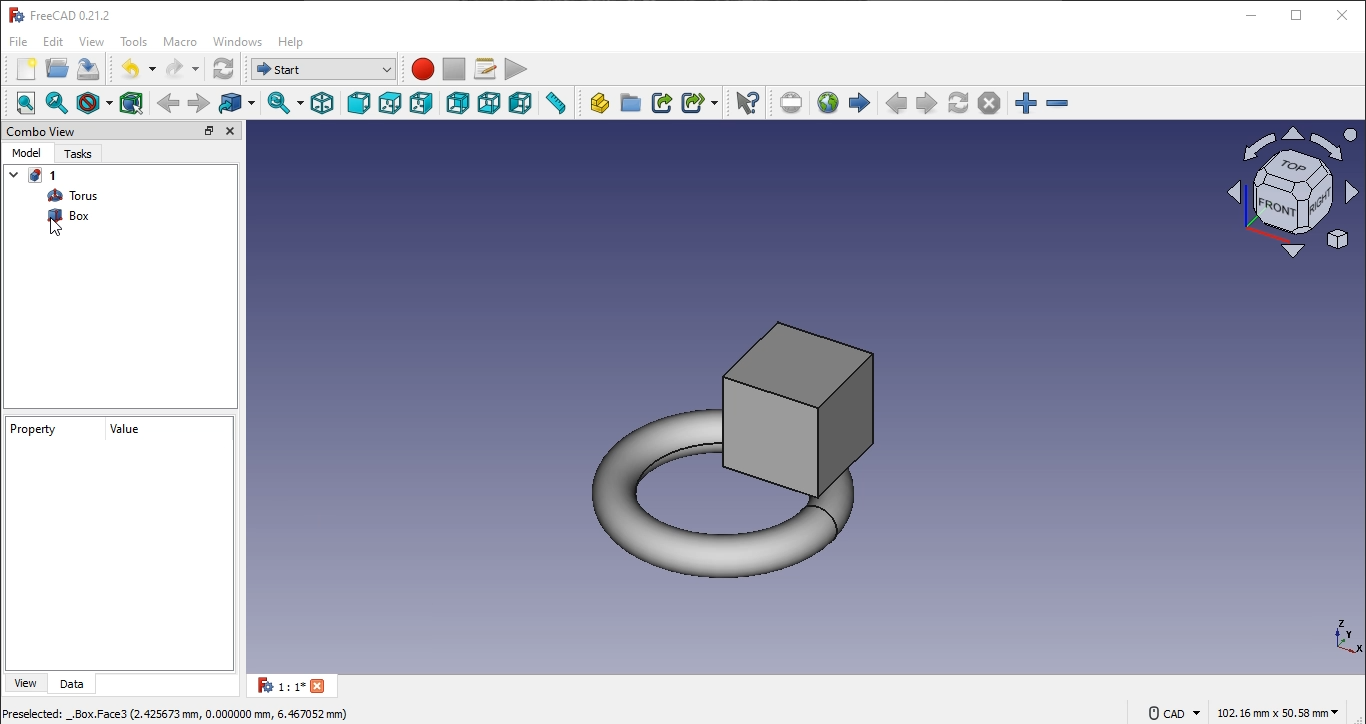 The height and width of the screenshot is (724, 1366). Describe the element at coordinates (72, 685) in the screenshot. I see `data` at that location.